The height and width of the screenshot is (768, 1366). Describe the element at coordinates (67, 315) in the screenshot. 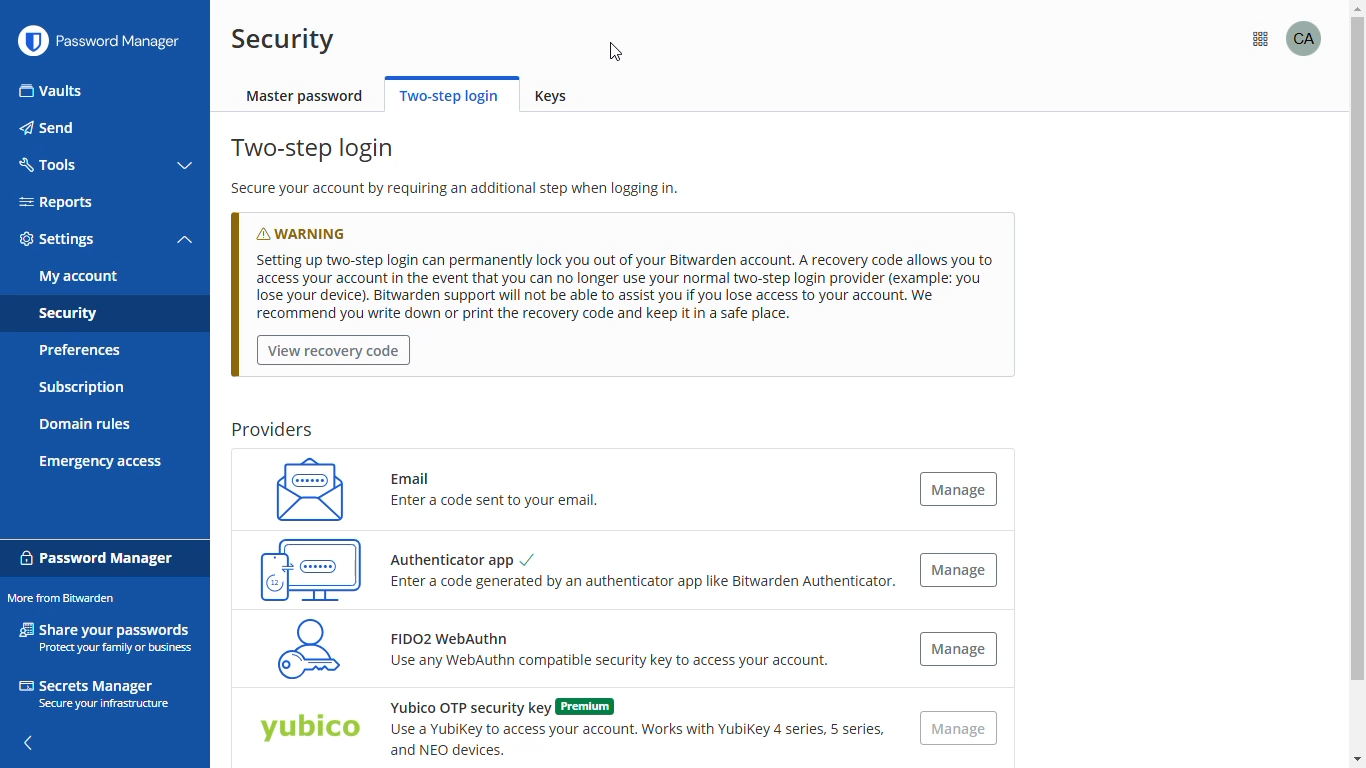

I see `security` at that location.